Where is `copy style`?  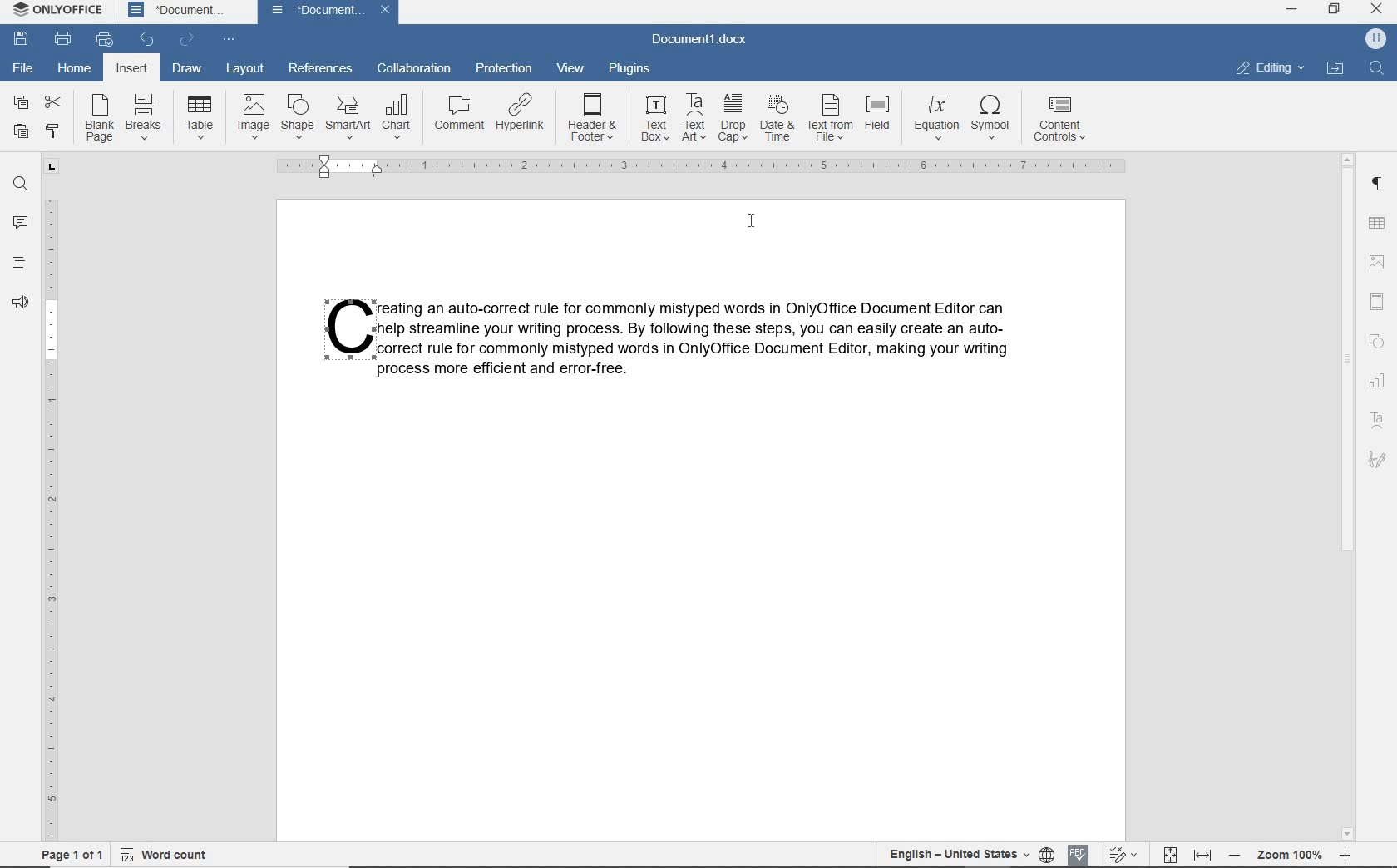 copy style is located at coordinates (52, 131).